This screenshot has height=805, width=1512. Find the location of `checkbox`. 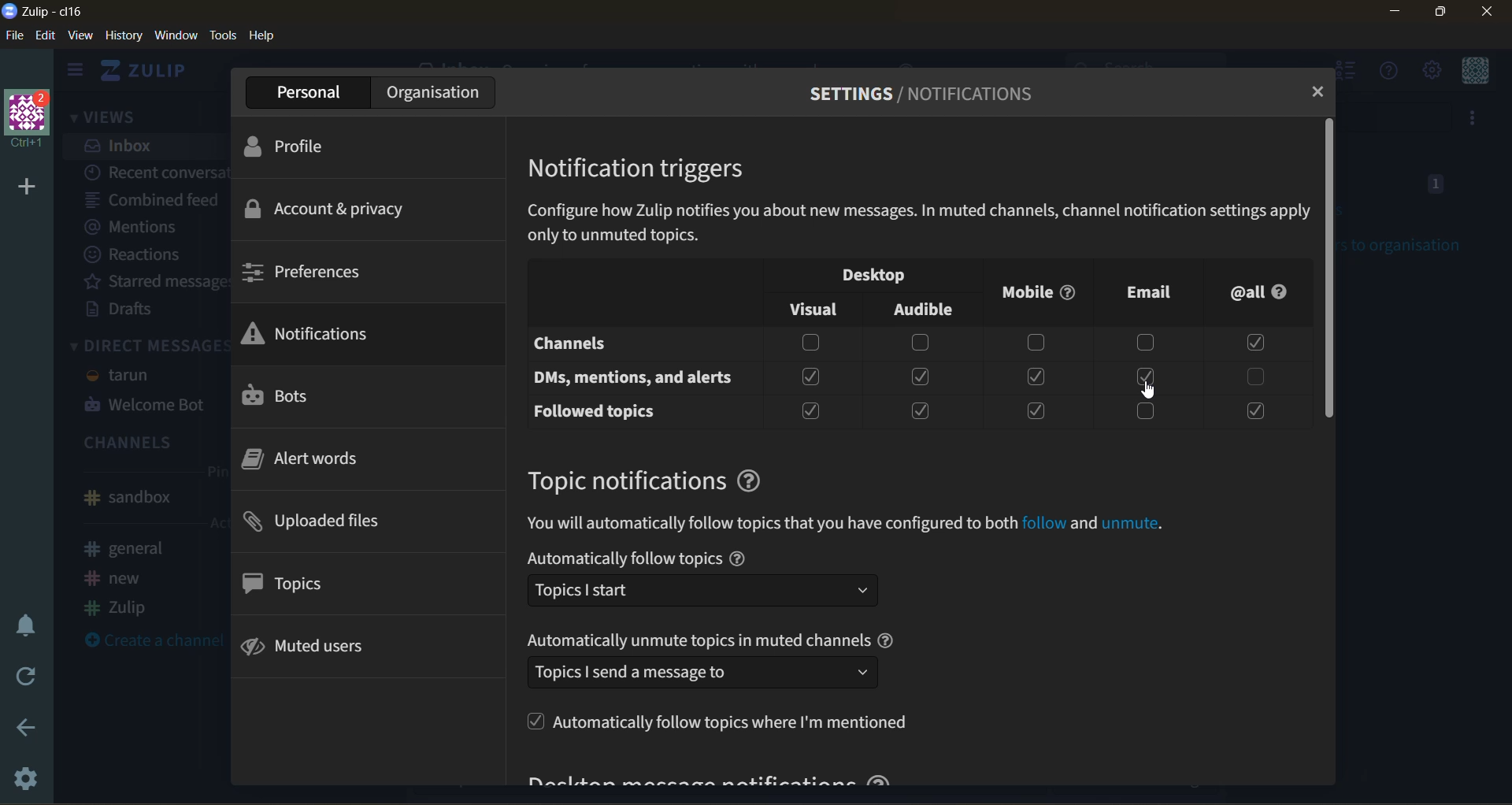

checkbox is located at coordinates (806, 413).